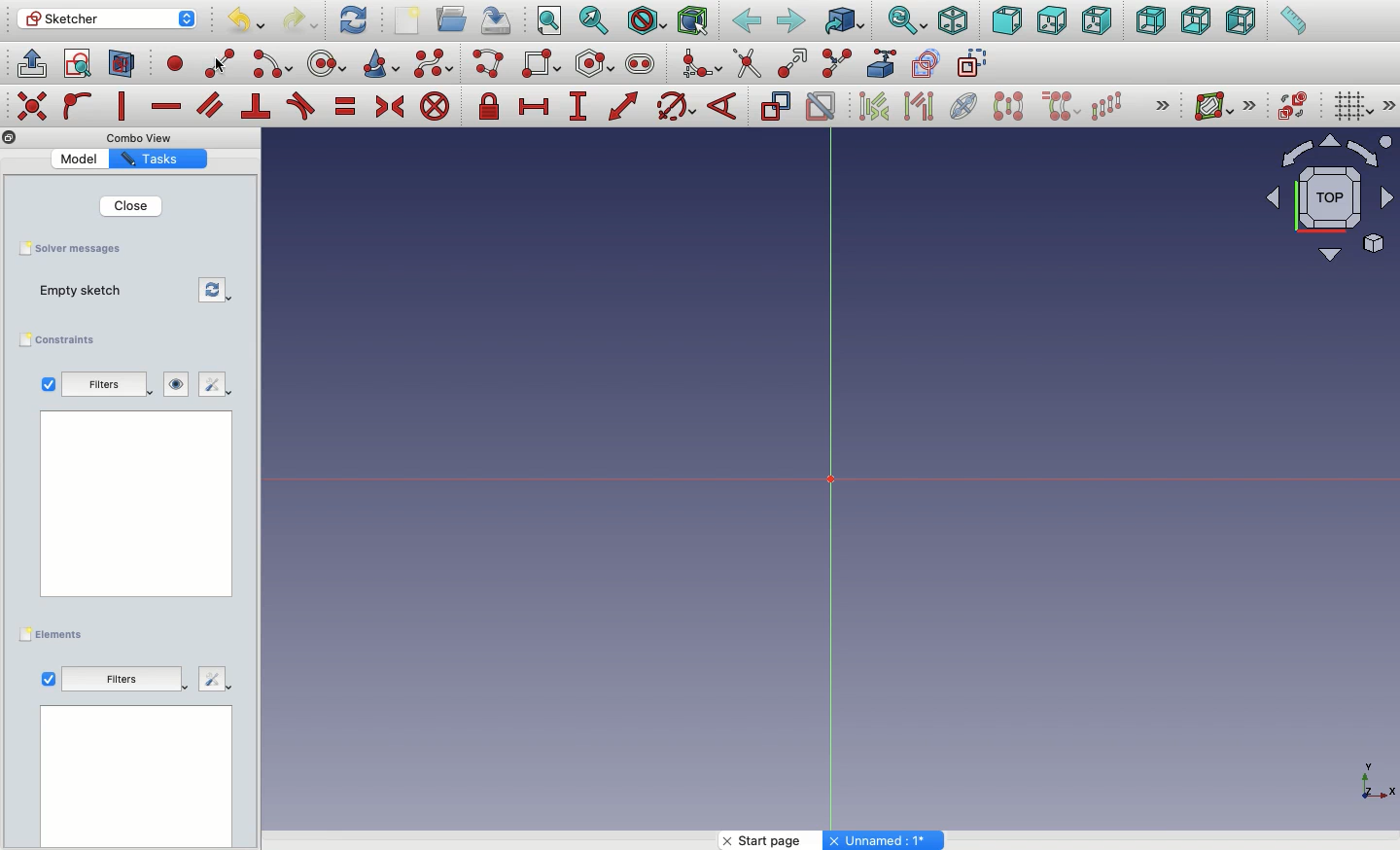  What do you see at coordinates (214, 681) in the screenshot?
I see `` at bounding box center [214, 681].